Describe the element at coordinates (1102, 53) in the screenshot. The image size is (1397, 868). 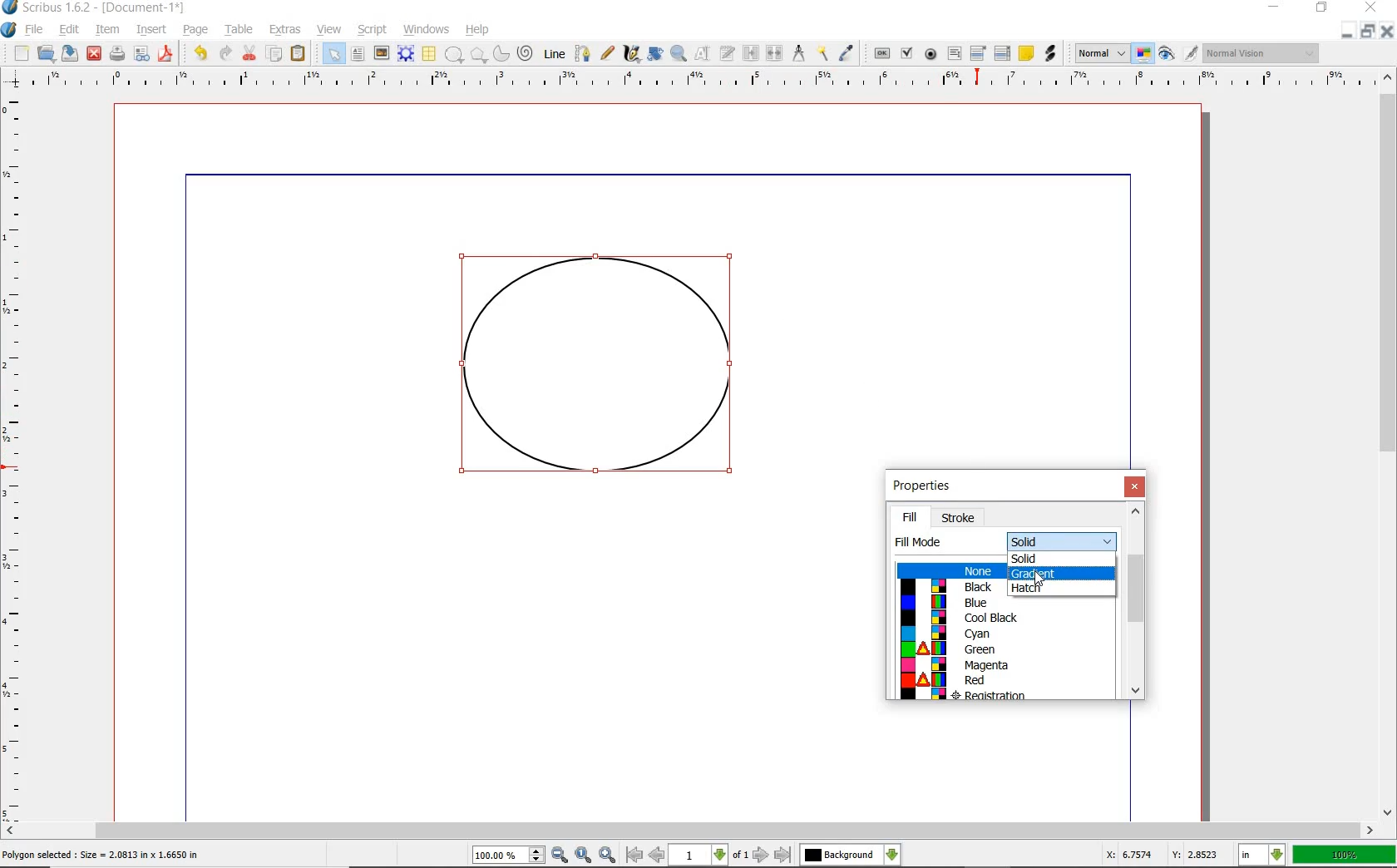
I see `SELECT THE IMAGE PREVIEW QUALITY` at that location.